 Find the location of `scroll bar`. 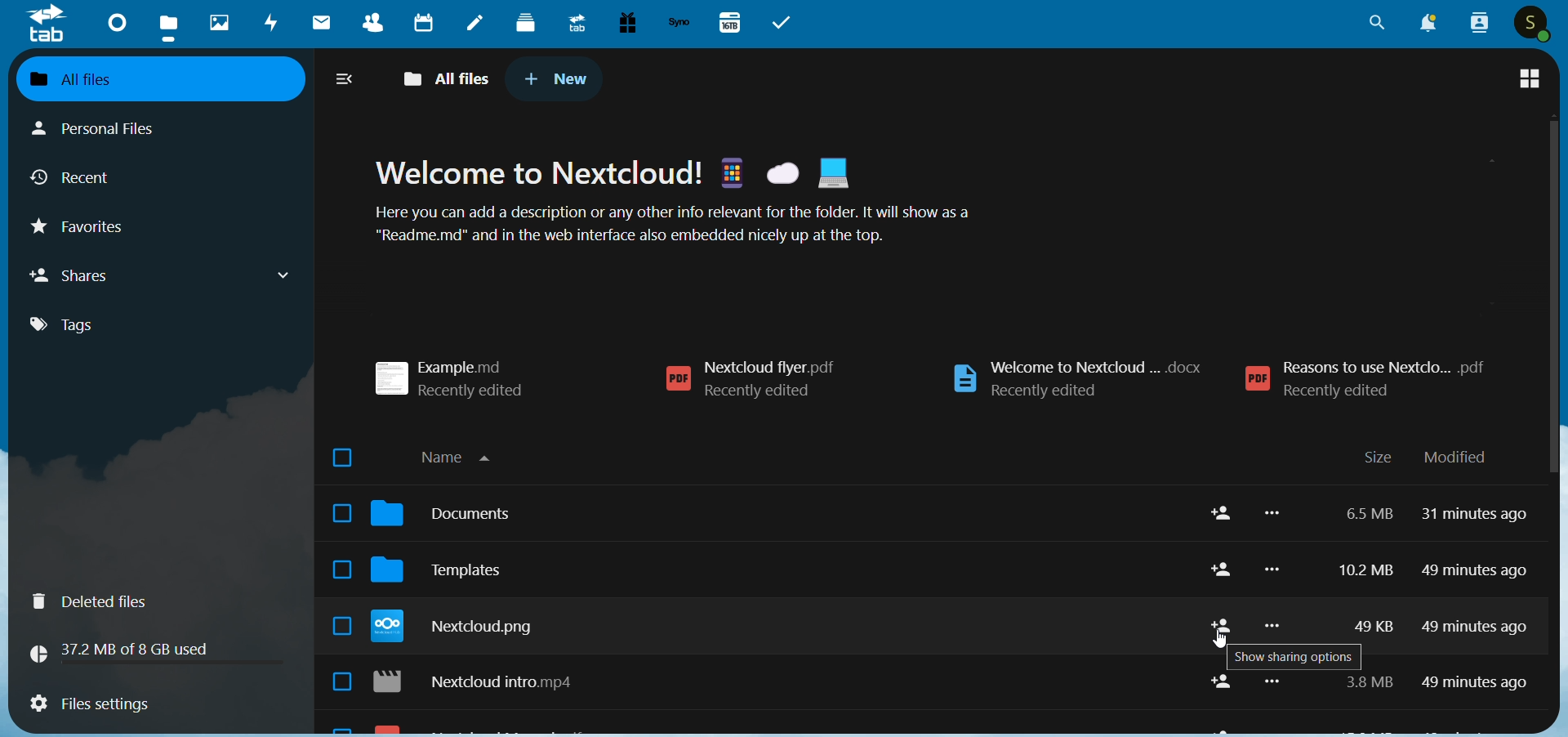

scroll bar is located at coordinates (1552, 295).